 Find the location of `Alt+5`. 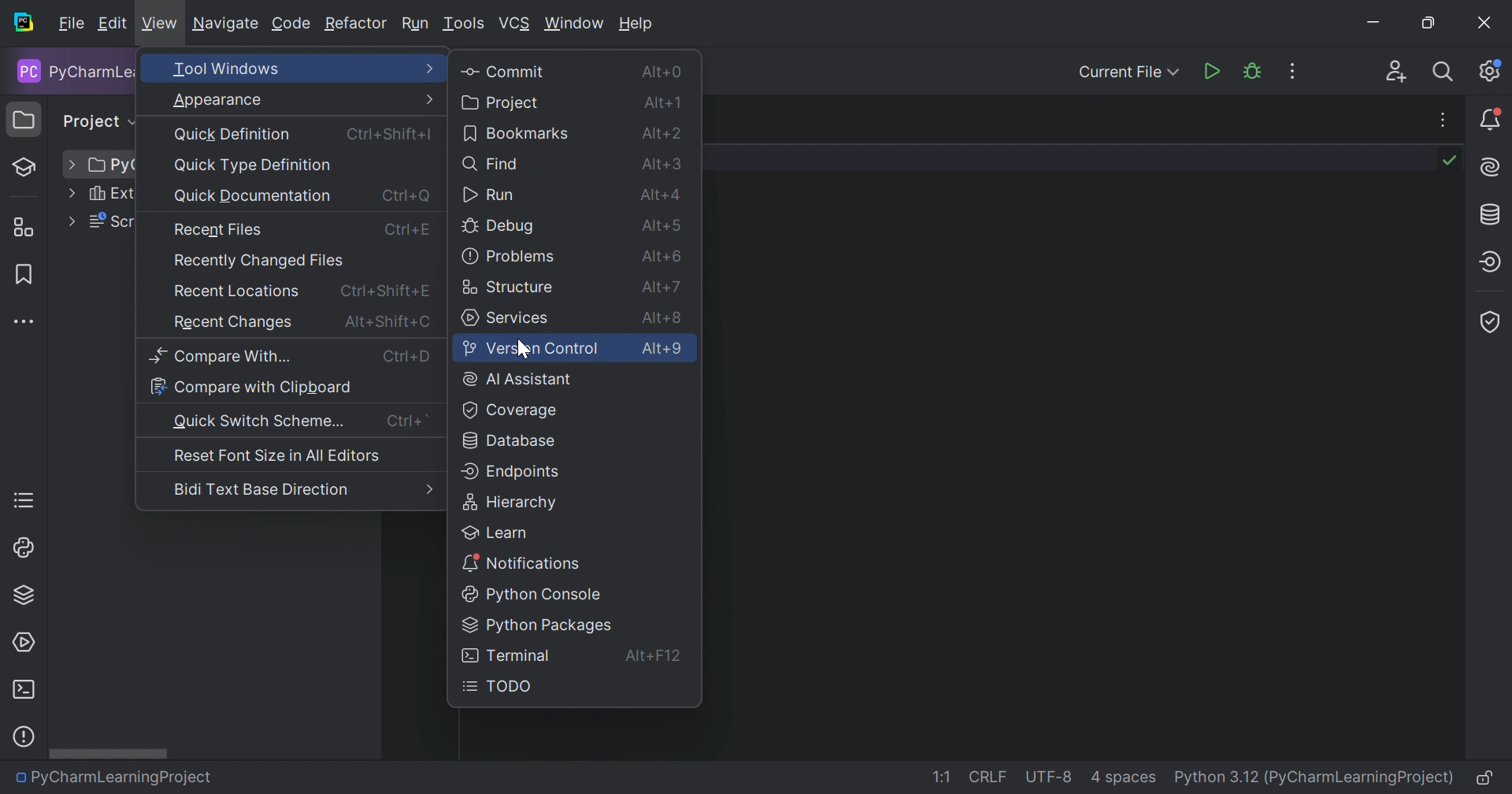

Alt+5 is located at coordinates (661, 223).